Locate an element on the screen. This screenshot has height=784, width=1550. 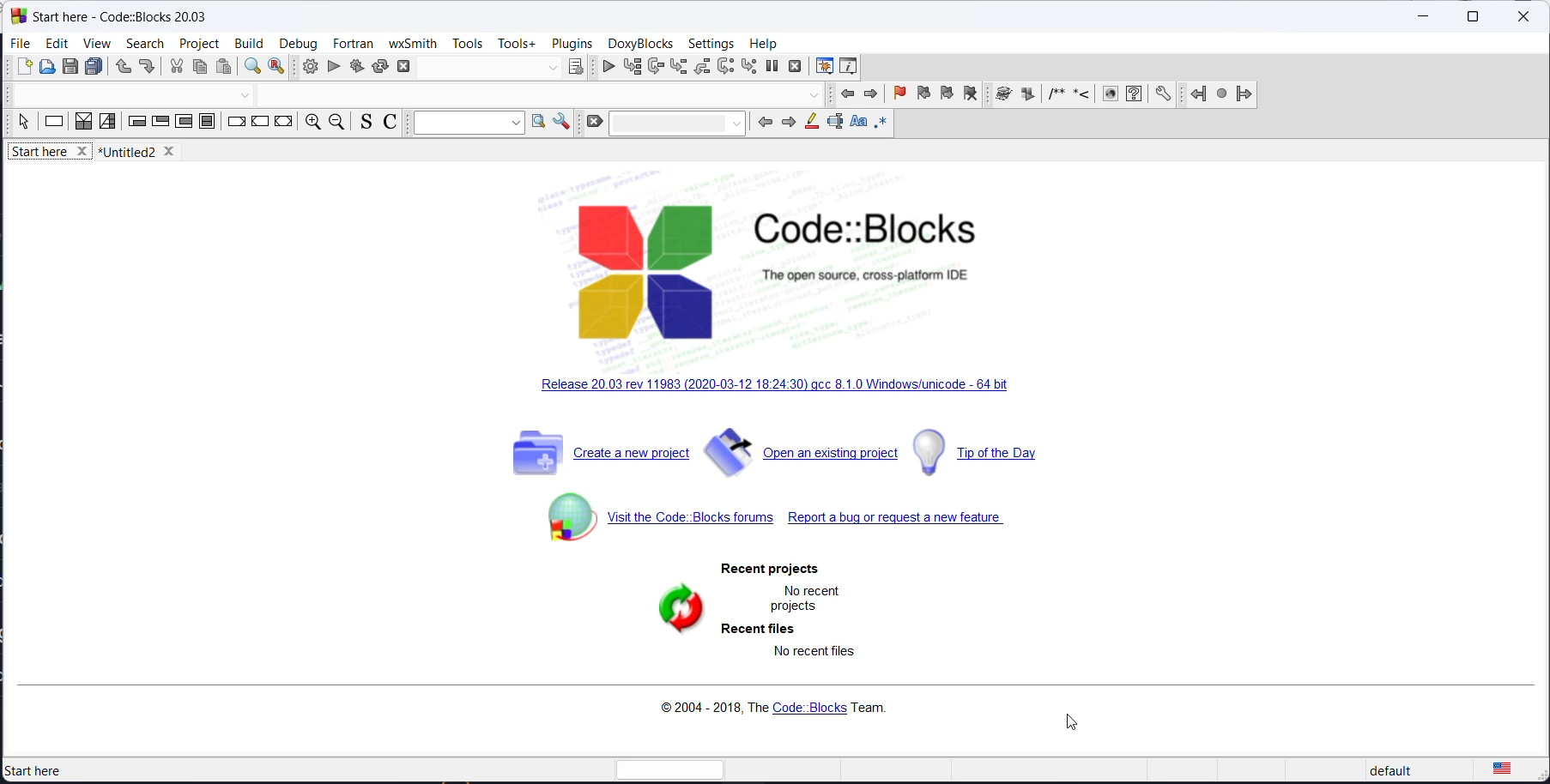
maximize is located at coordinates (1471, 17).